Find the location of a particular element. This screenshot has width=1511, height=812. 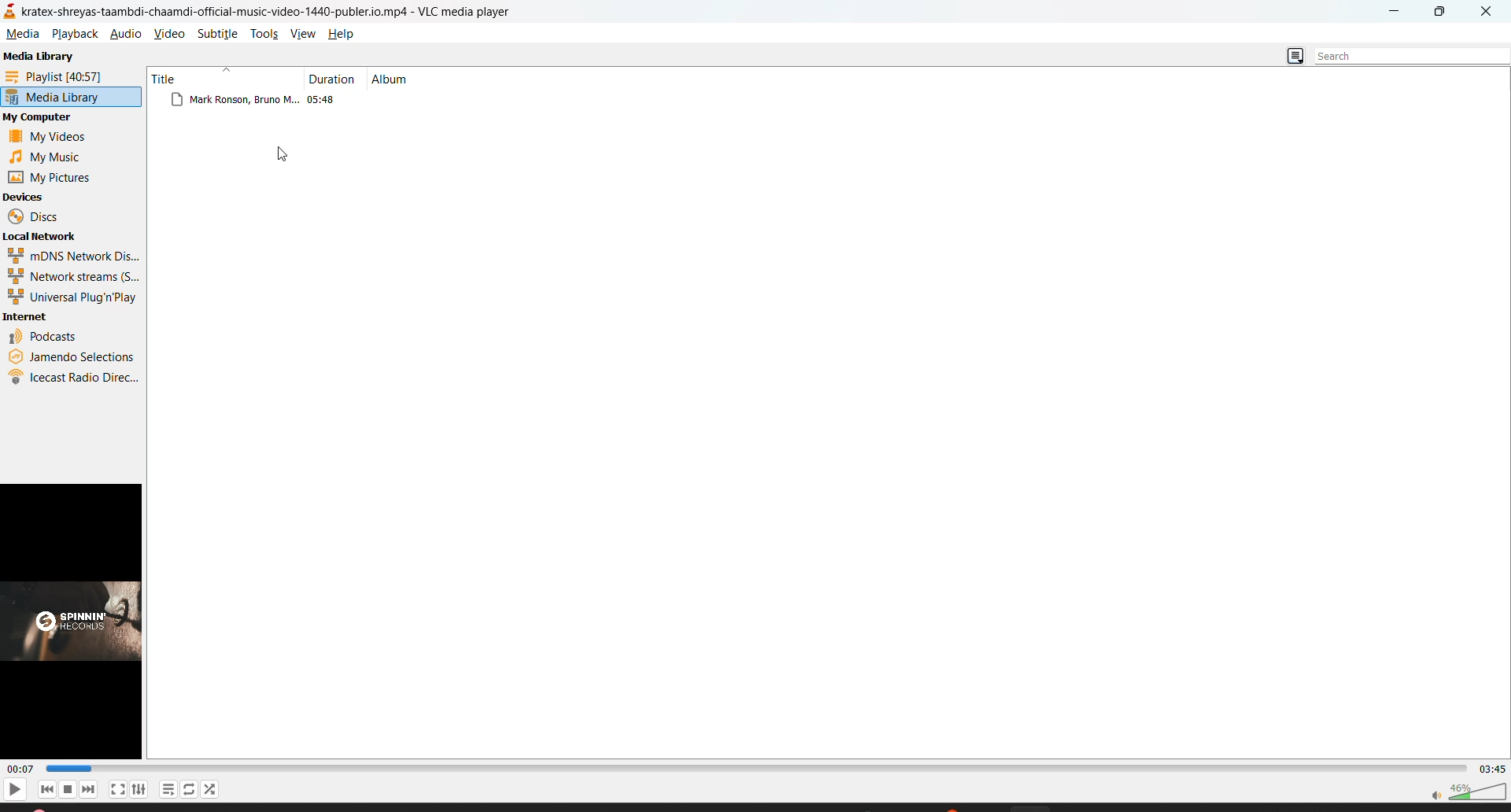

files from media library is located at coordinates (297, 103).